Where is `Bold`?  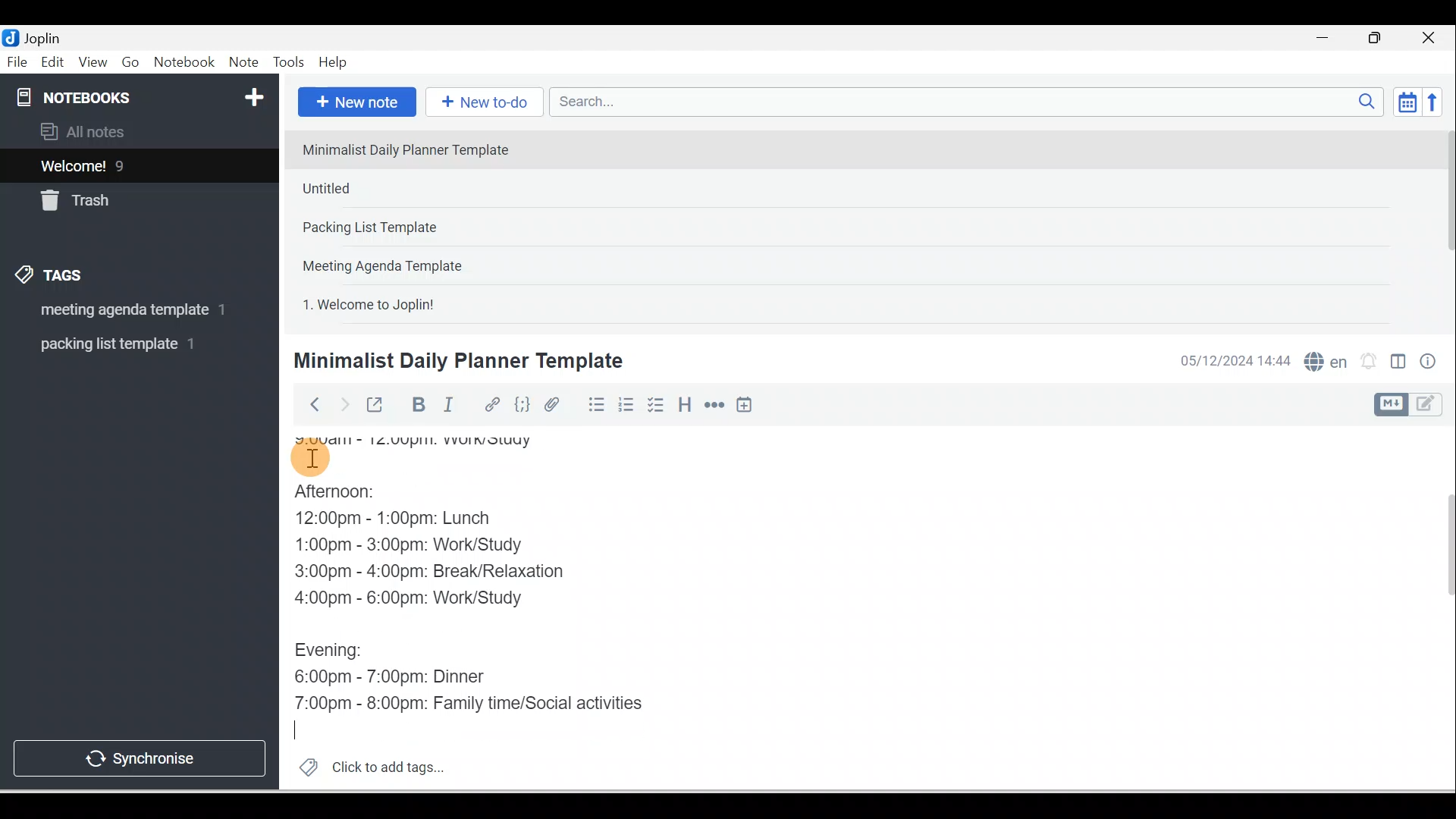 Bold is located at coordinates (416, 405).